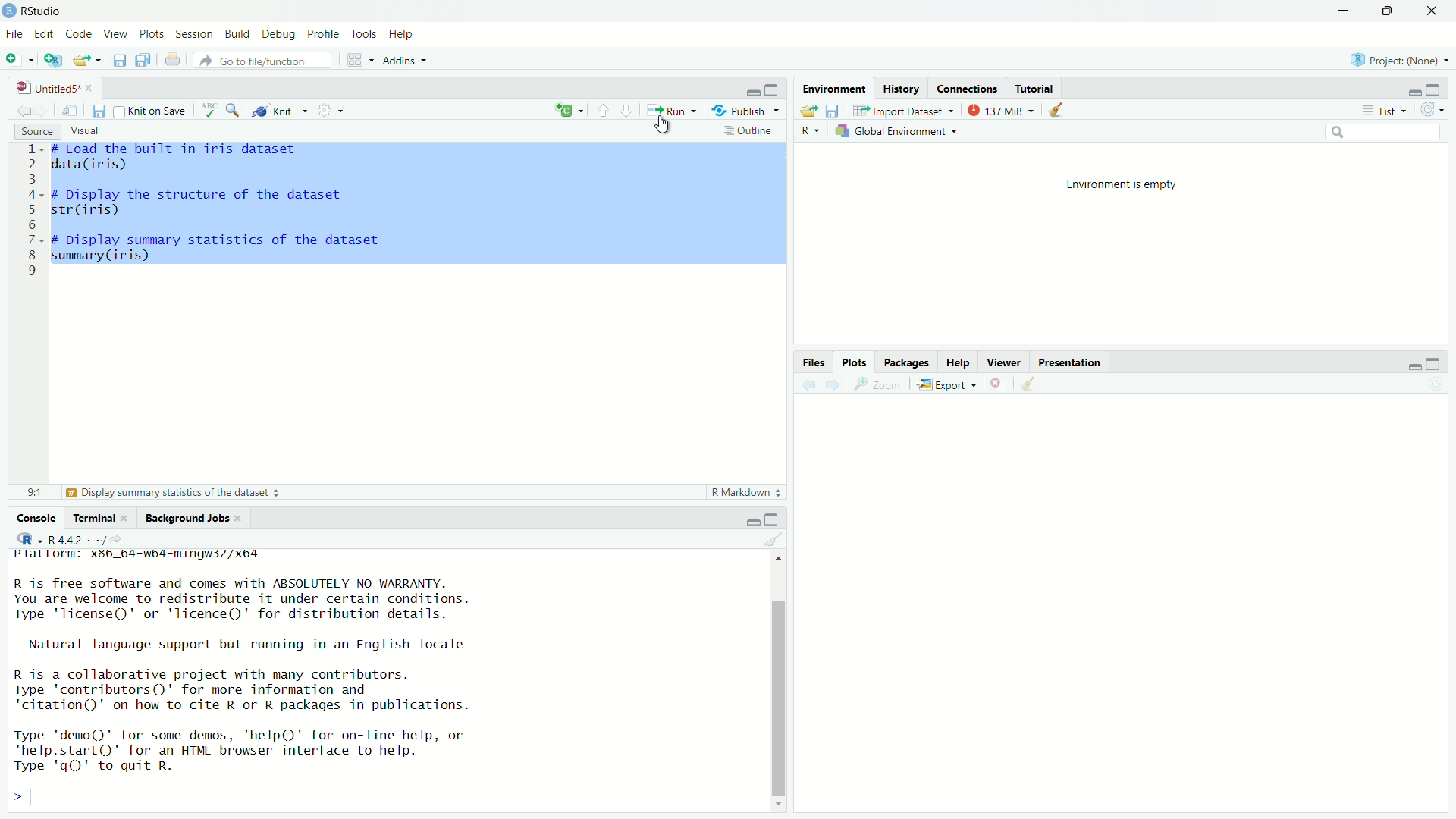 This screenshot has height=819, width=1456. I want to click on 137MiB, so click(1000, 109).